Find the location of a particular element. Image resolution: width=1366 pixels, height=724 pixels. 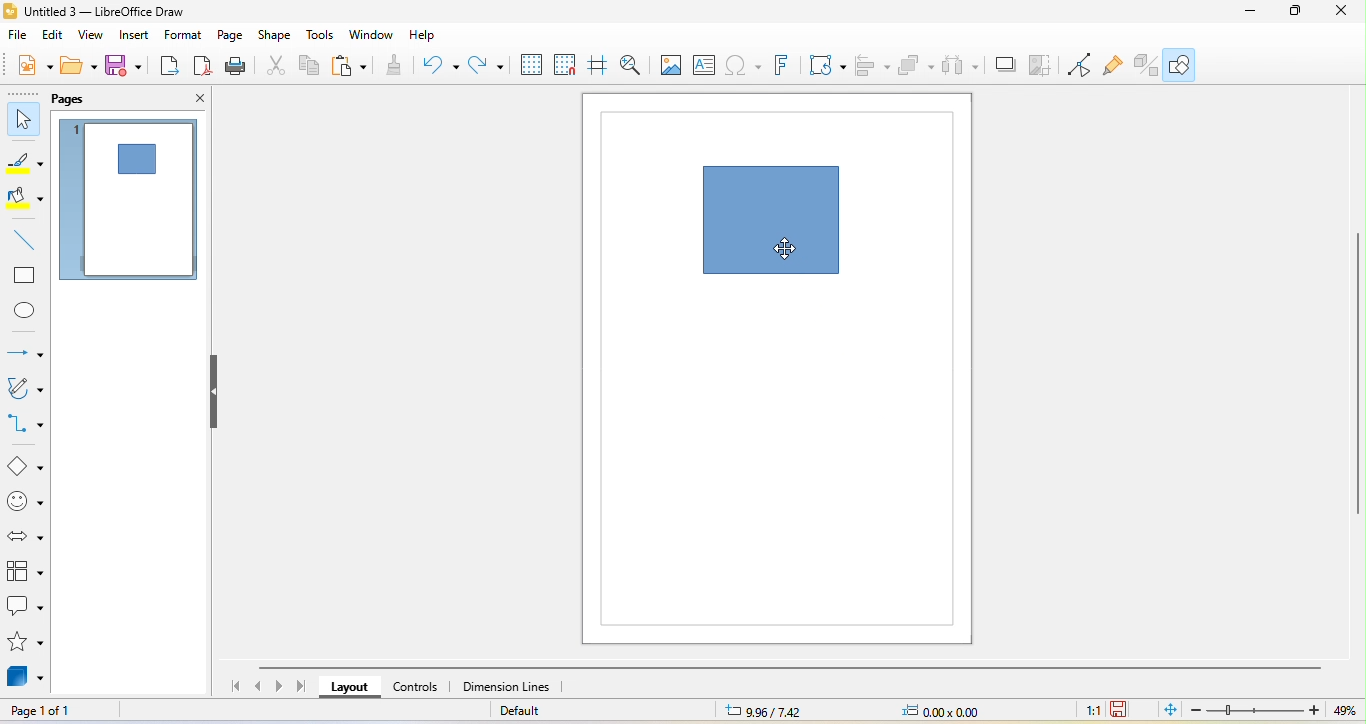

dimension lines is located at coordinates (517, 687).